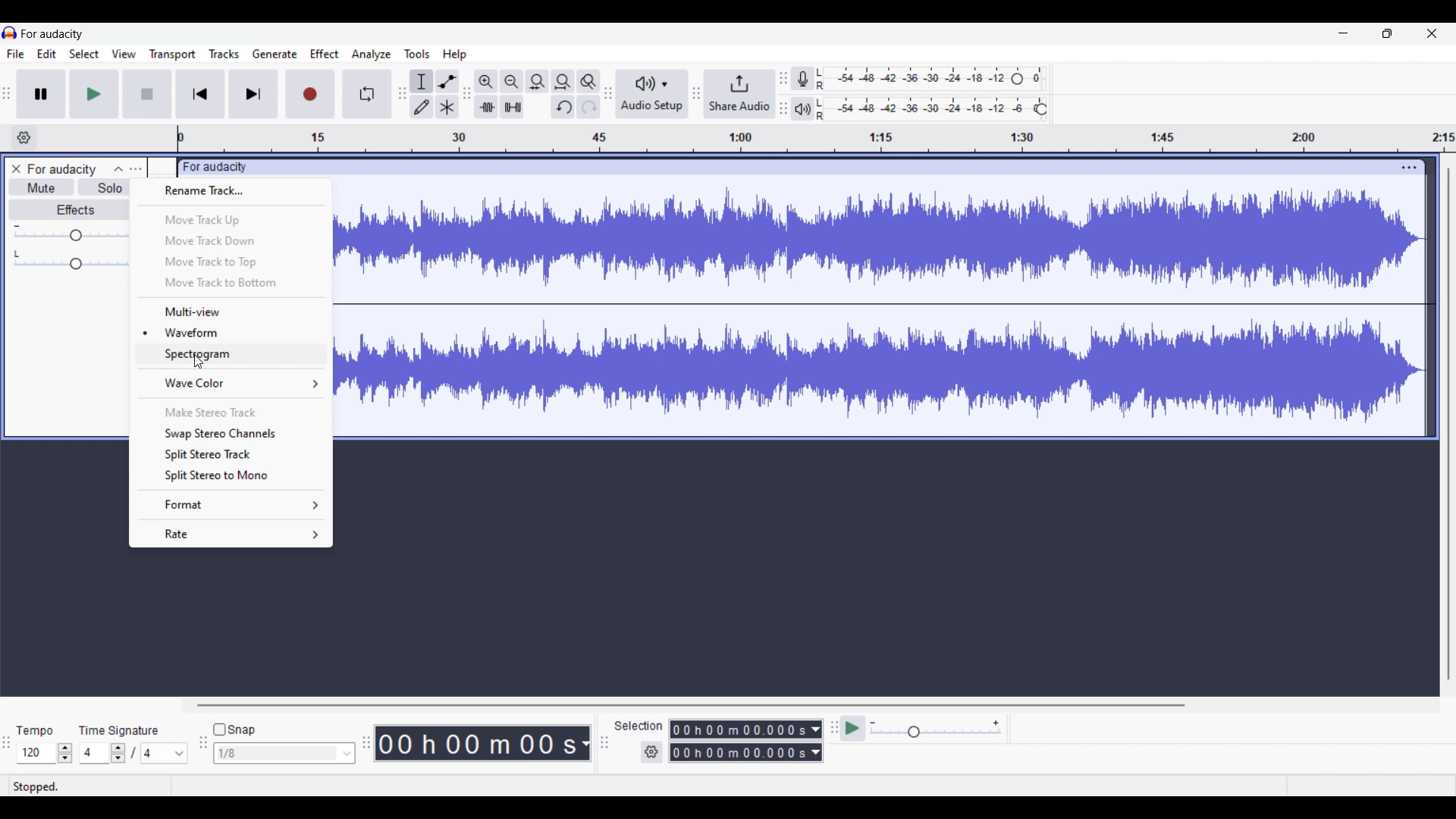 The height and width of the screenshot is (819, 1456). Describe the element at coordinates (692, 705) in the screenshot. I see `Horizontal slide bar` at that location.